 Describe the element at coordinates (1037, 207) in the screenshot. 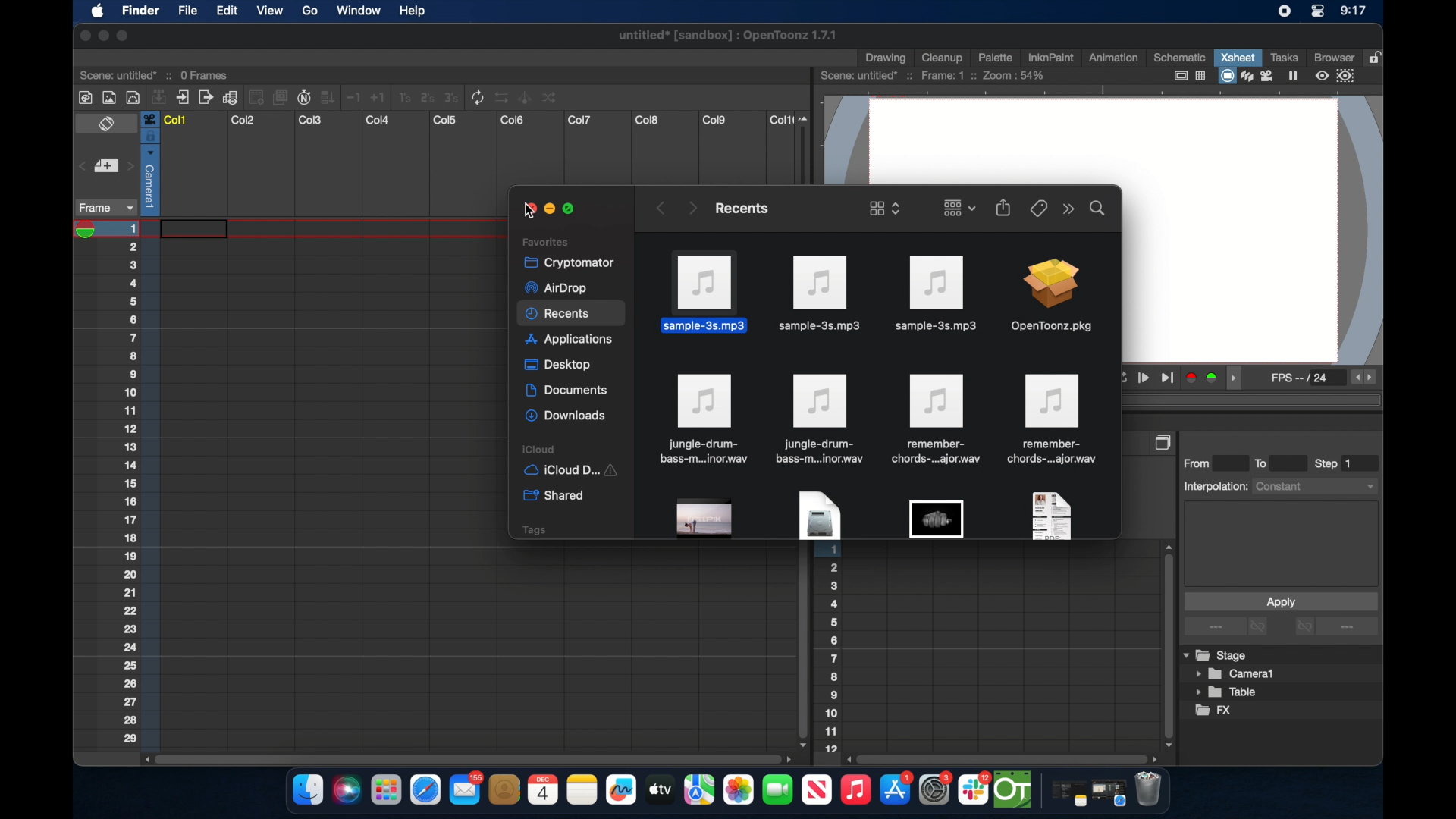

I see `tags` at that location.